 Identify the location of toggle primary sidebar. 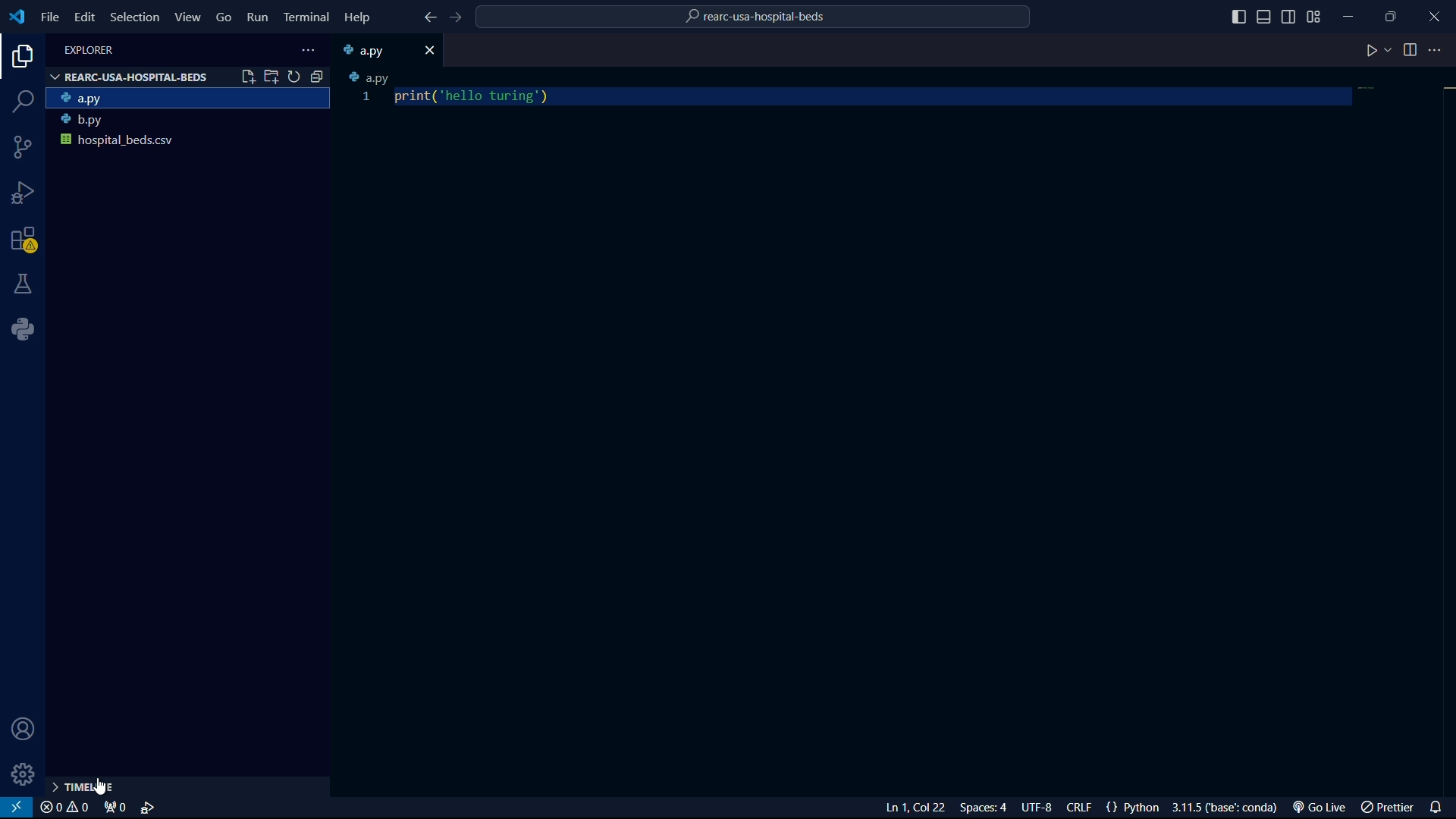
(1238, 16).